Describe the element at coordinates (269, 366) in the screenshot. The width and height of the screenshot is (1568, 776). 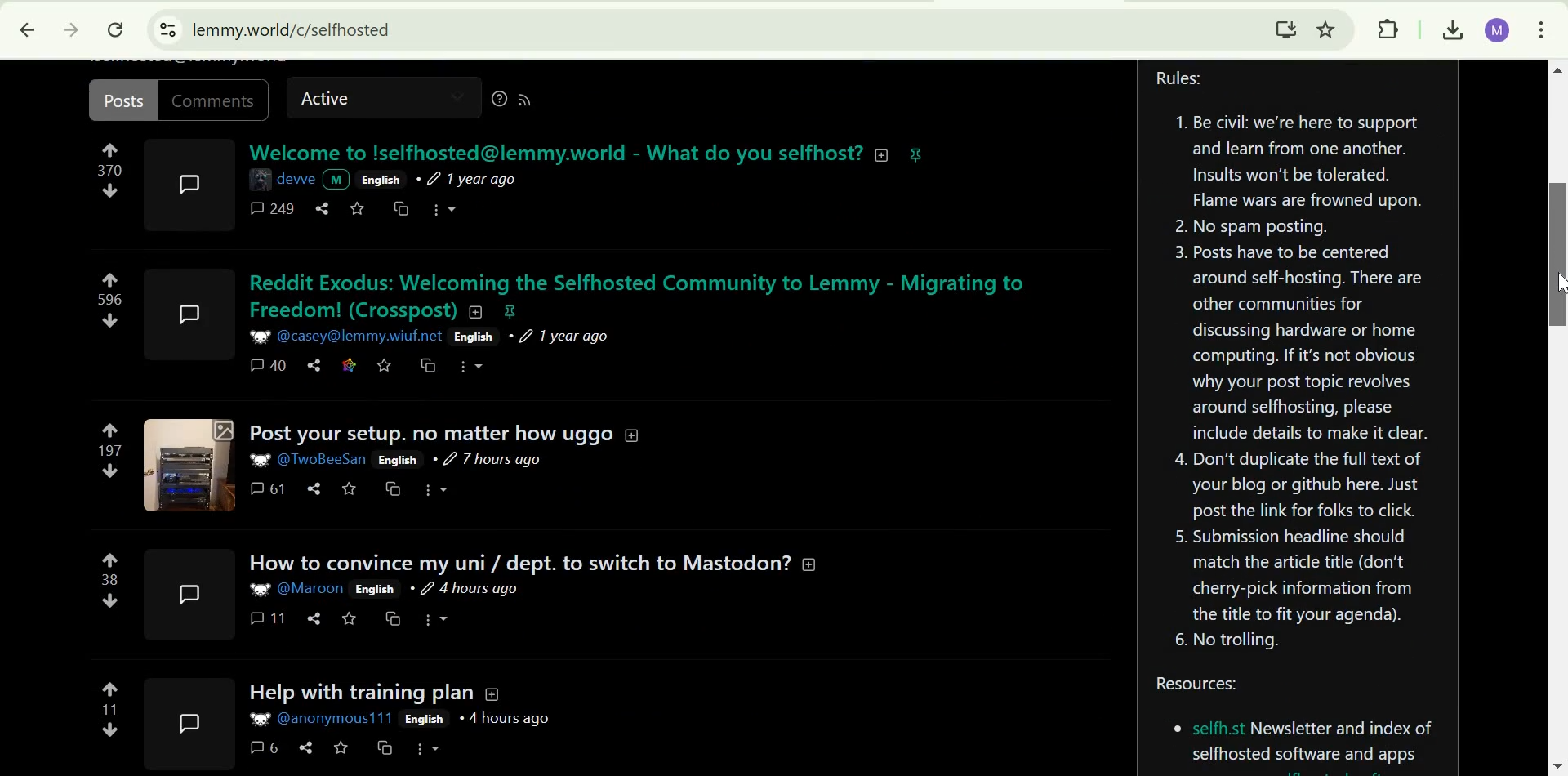
I see `40 comments` at that location.